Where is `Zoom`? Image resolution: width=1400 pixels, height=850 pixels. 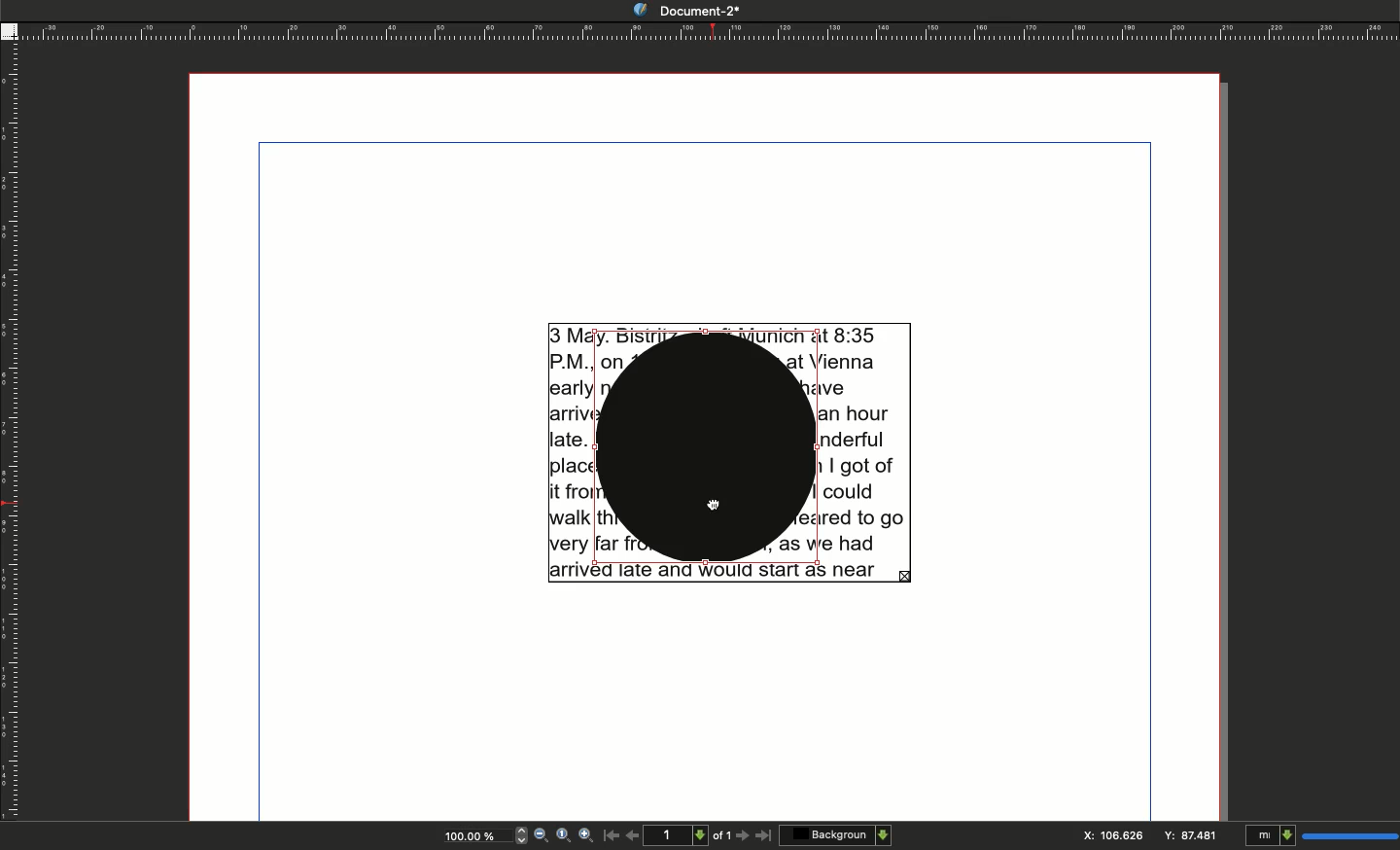
Zoom is located at coordinates (563, 837).